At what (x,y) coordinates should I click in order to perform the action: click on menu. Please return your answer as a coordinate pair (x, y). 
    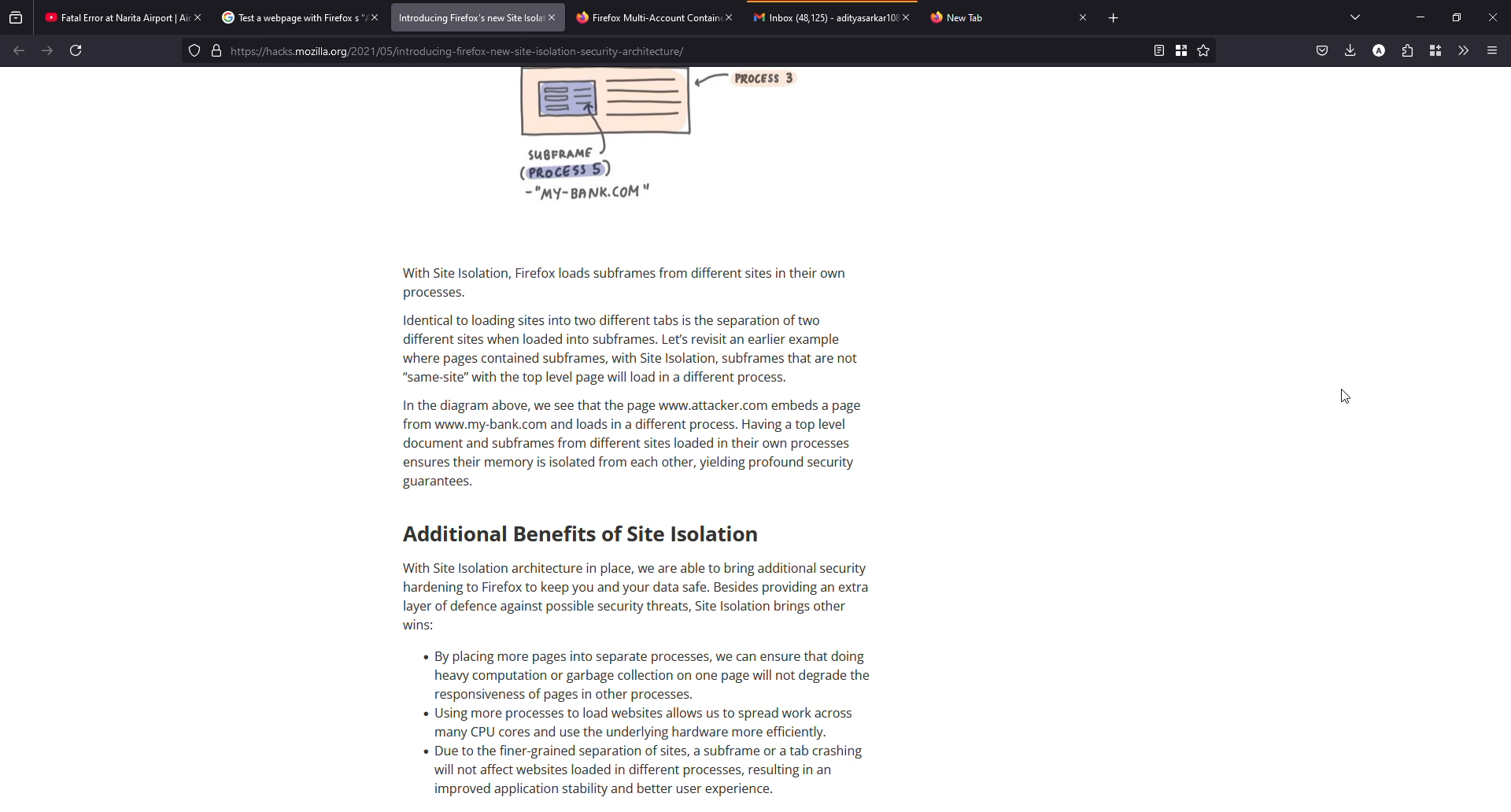
    Looking at the image, I should click on (1491, 50).